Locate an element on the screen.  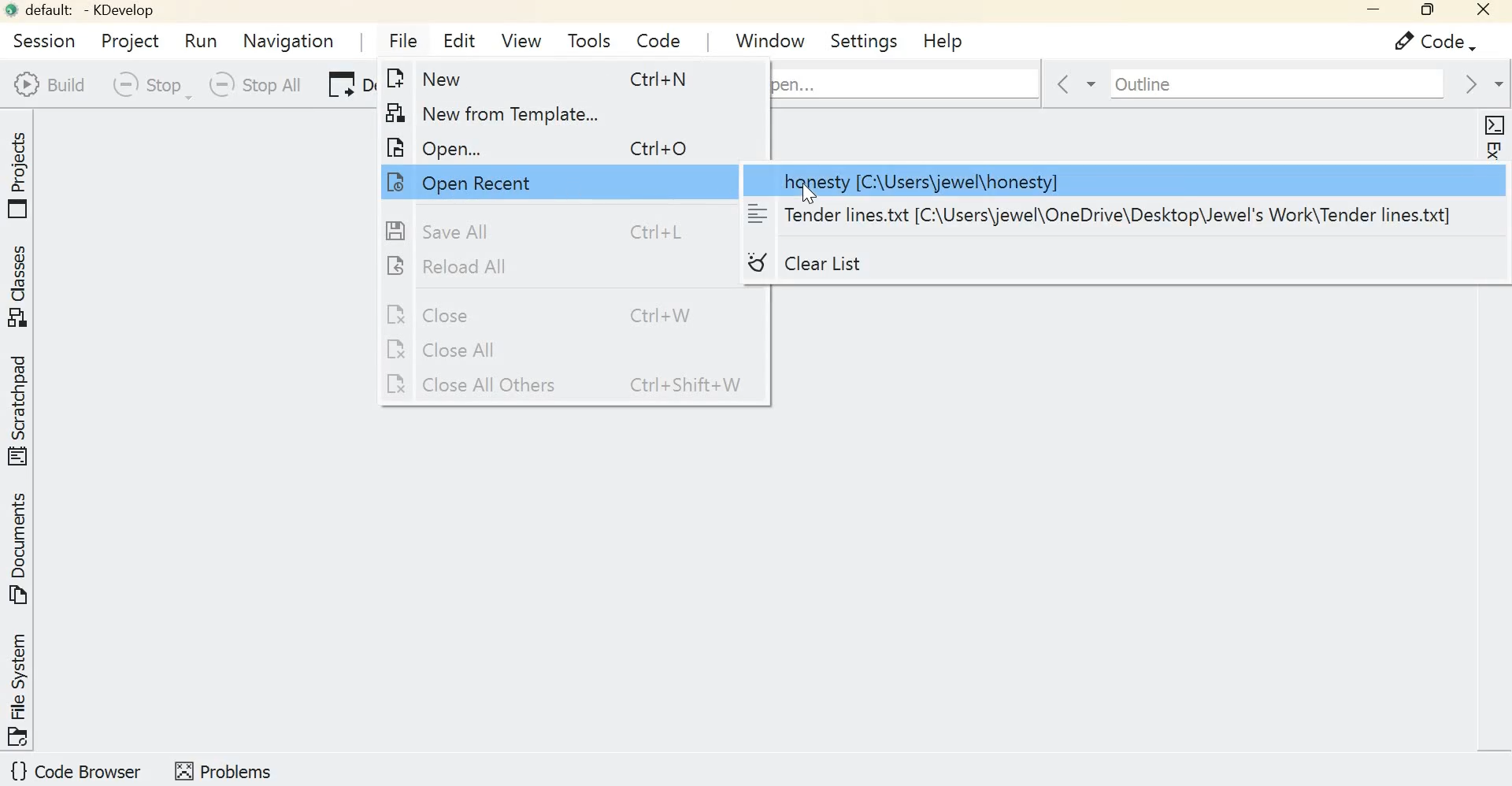
Open is located at coordinates (548, 145).